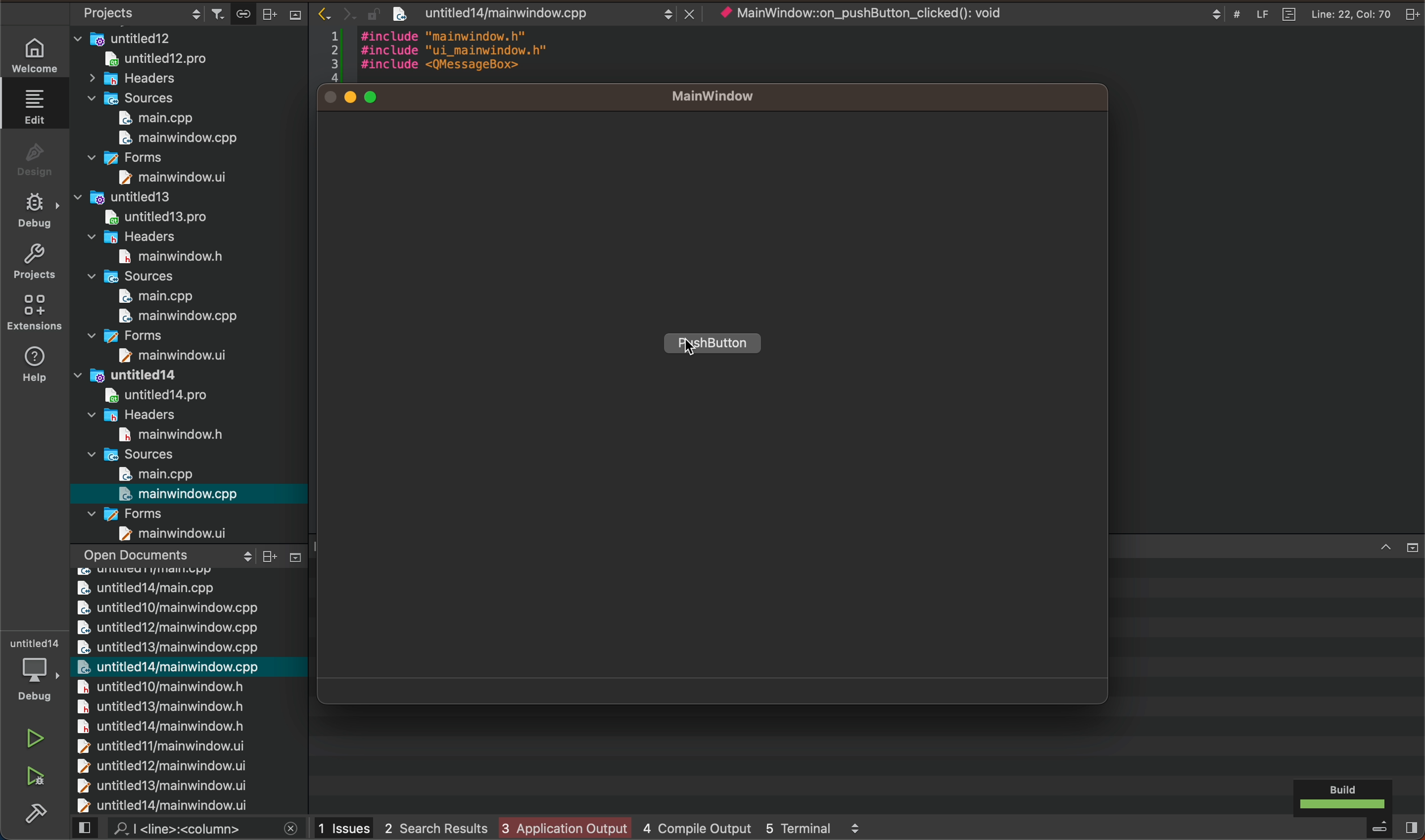  I want to click on main window, so click(173, 316).